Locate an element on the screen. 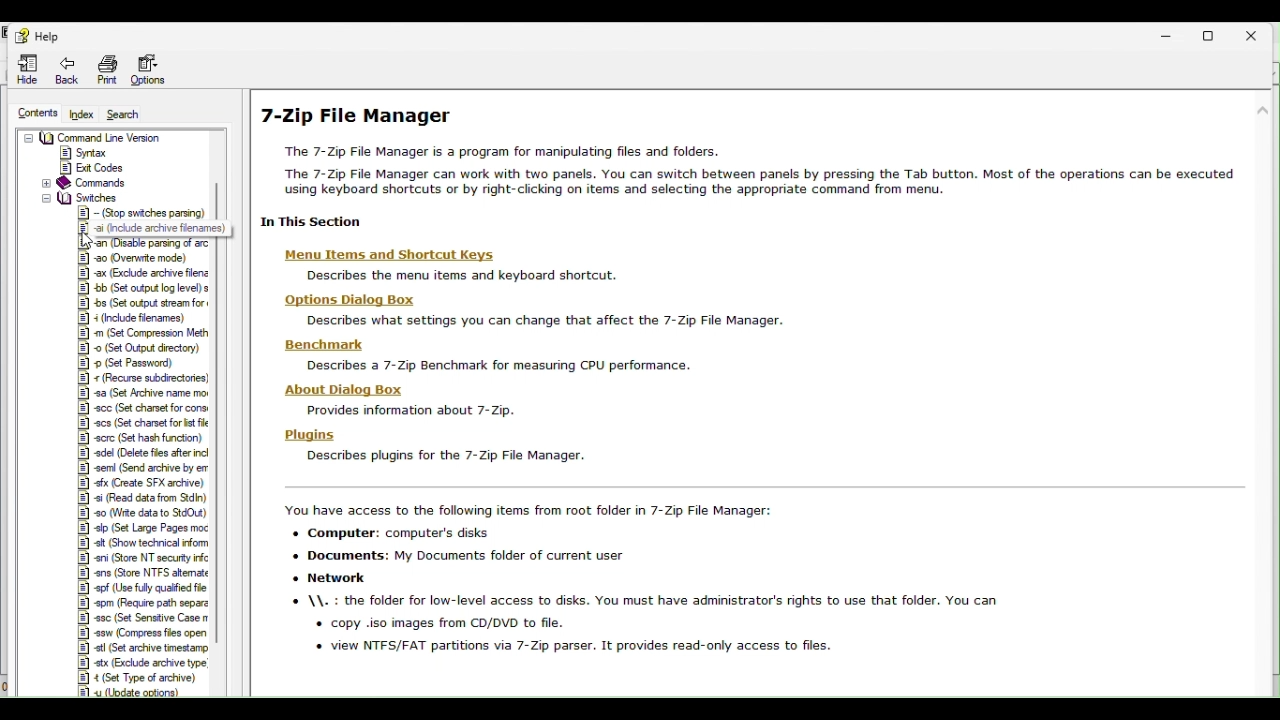  Provides information about 7-Zip. is located at coordinates (402, 411).